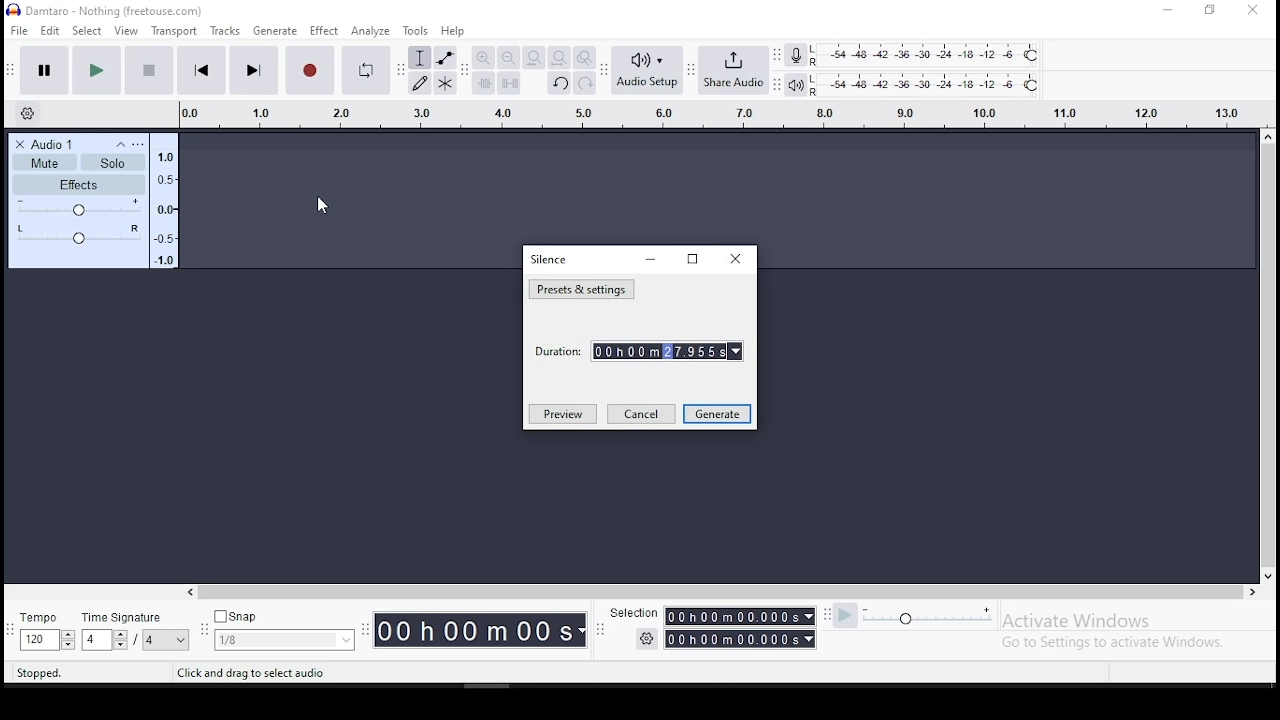 Image resolution: width=1280 pixels, height=720 pixels. What do you see at coordinates (81, 186) in the screenshot?
I see `Effects` at bounding box center [81, 186].